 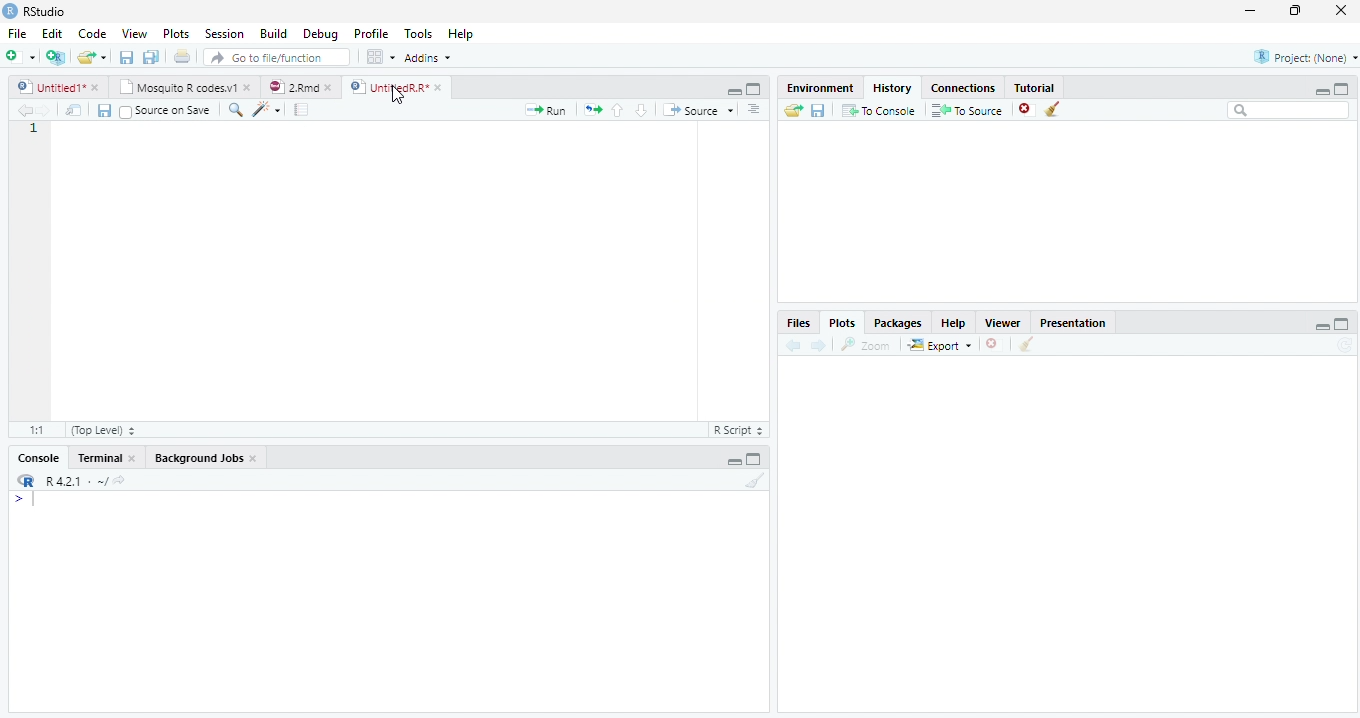 What do you see at coordinates (1343, 324) in the screenshot?
I see `Maximize` at bounding box center [1343, 324].